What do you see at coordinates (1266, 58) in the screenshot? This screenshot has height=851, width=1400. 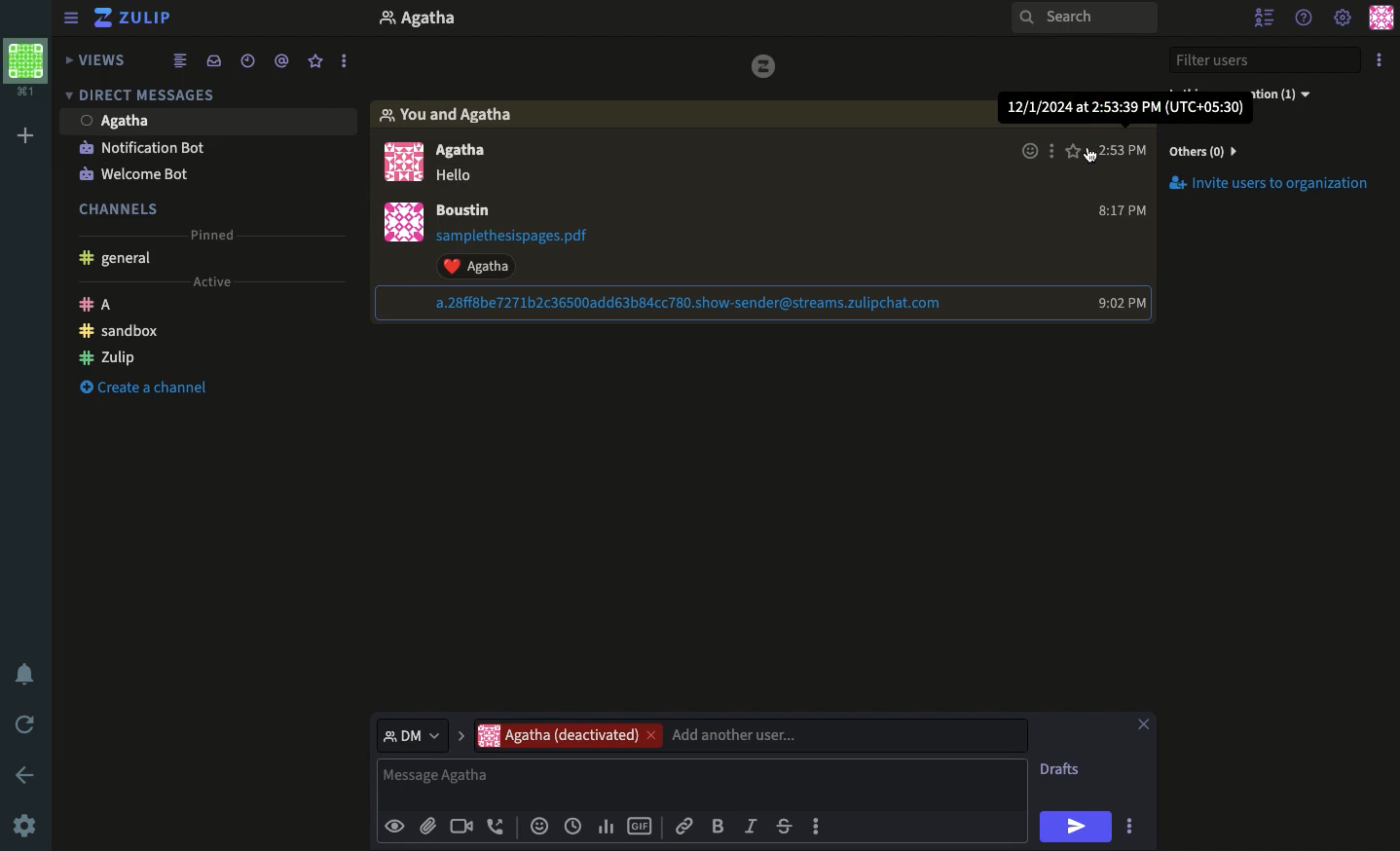 I see `Filter users` at bounding box center [1266, 58].